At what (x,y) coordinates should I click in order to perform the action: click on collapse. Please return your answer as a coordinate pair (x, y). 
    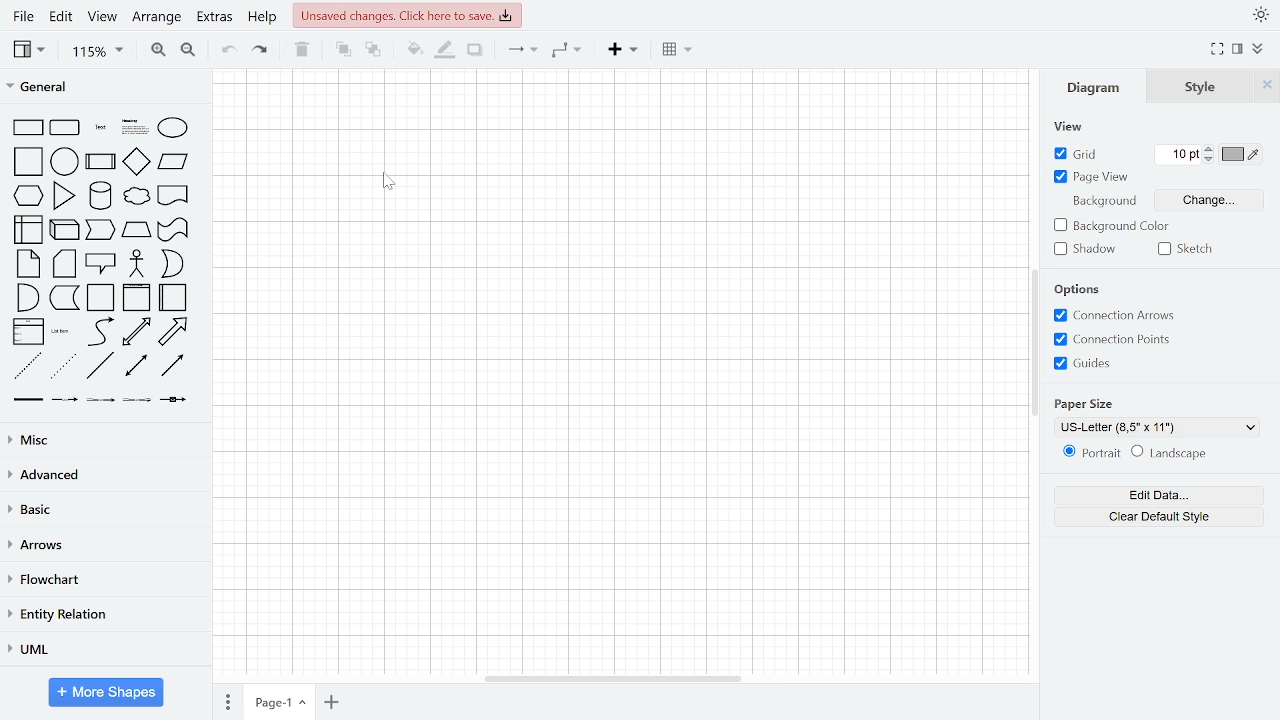
    Looking at the image, I should click on (1258, 49).